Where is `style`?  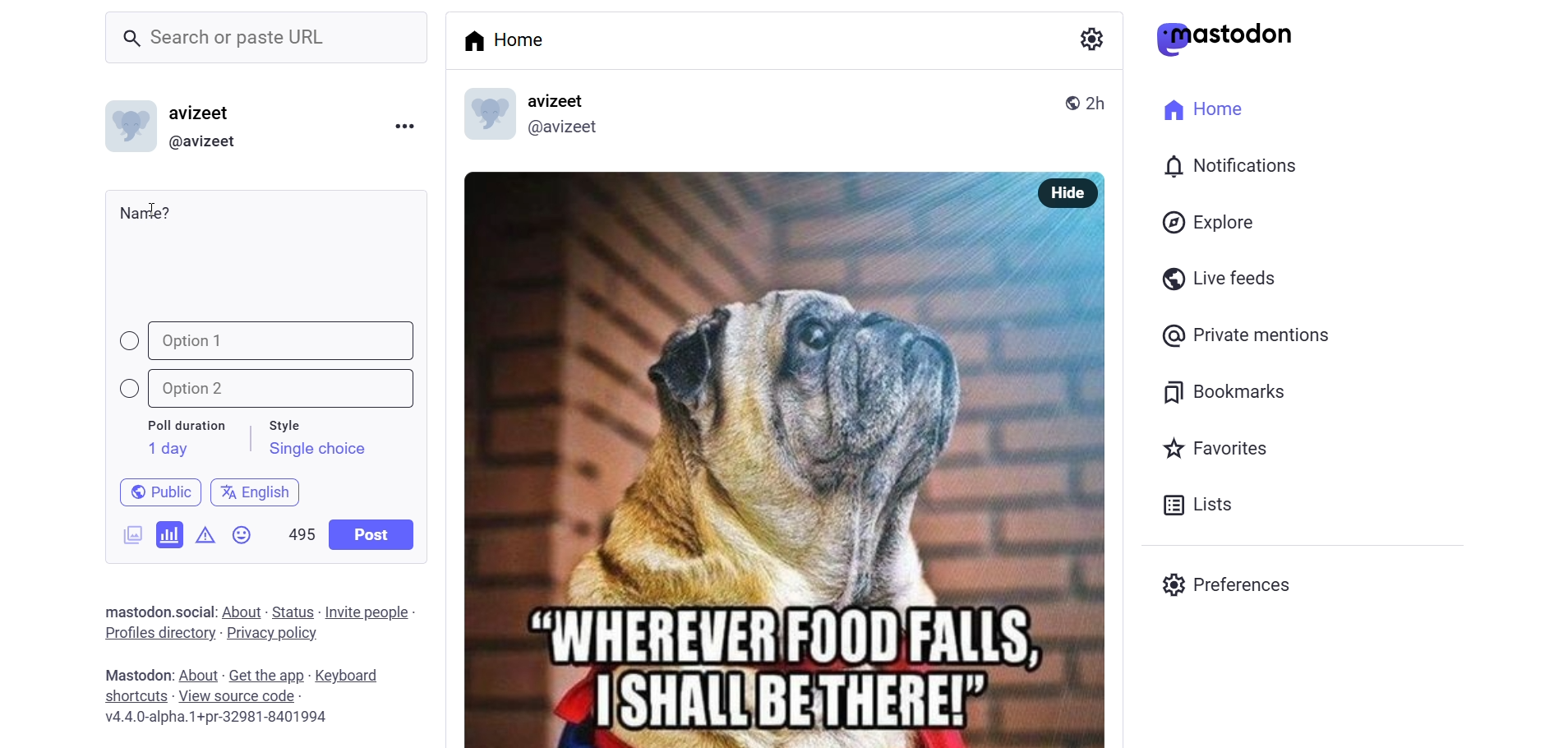
style is located at coordinates (293, 422).